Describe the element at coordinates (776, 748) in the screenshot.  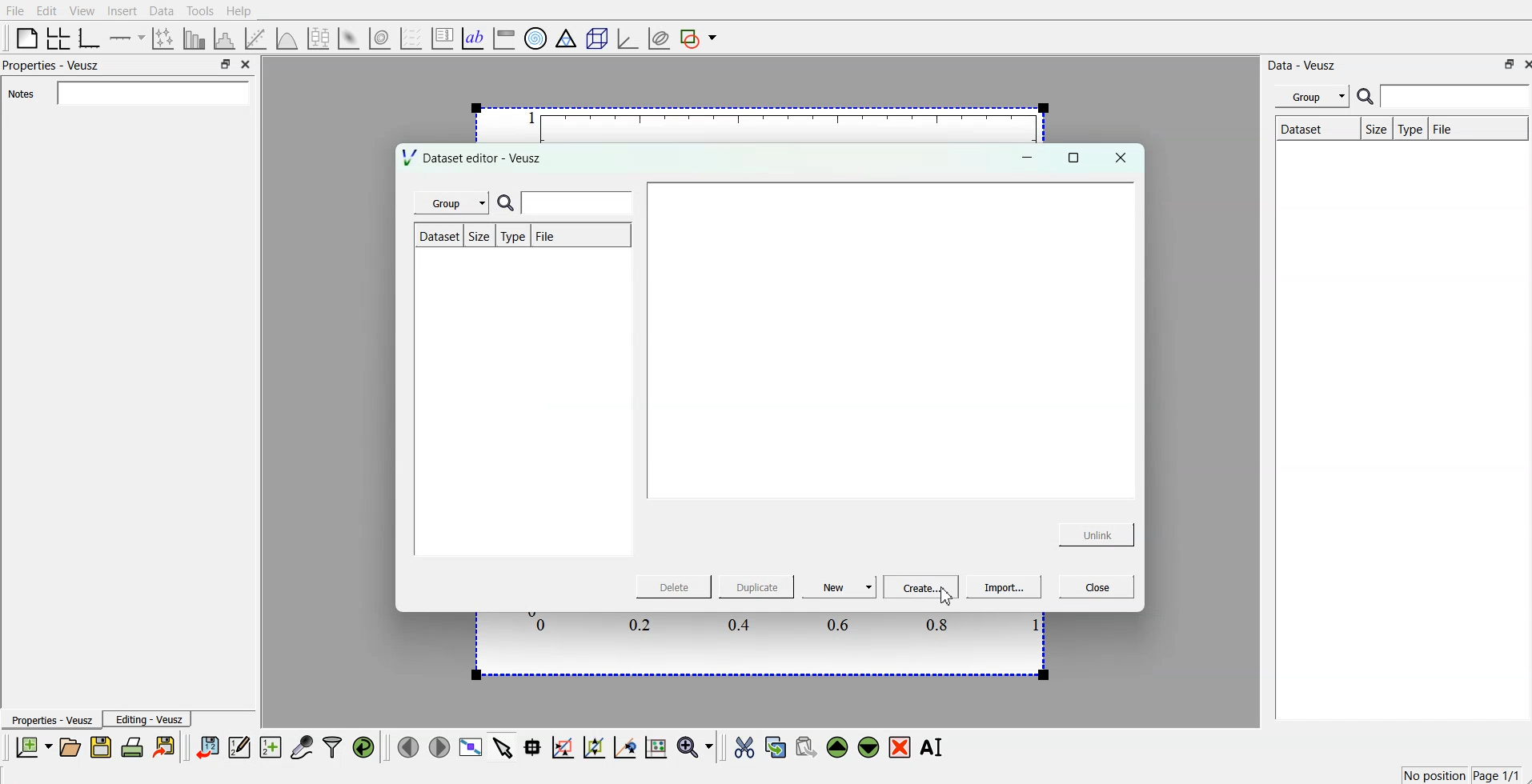
I see `copy the selected widgets` at that location.